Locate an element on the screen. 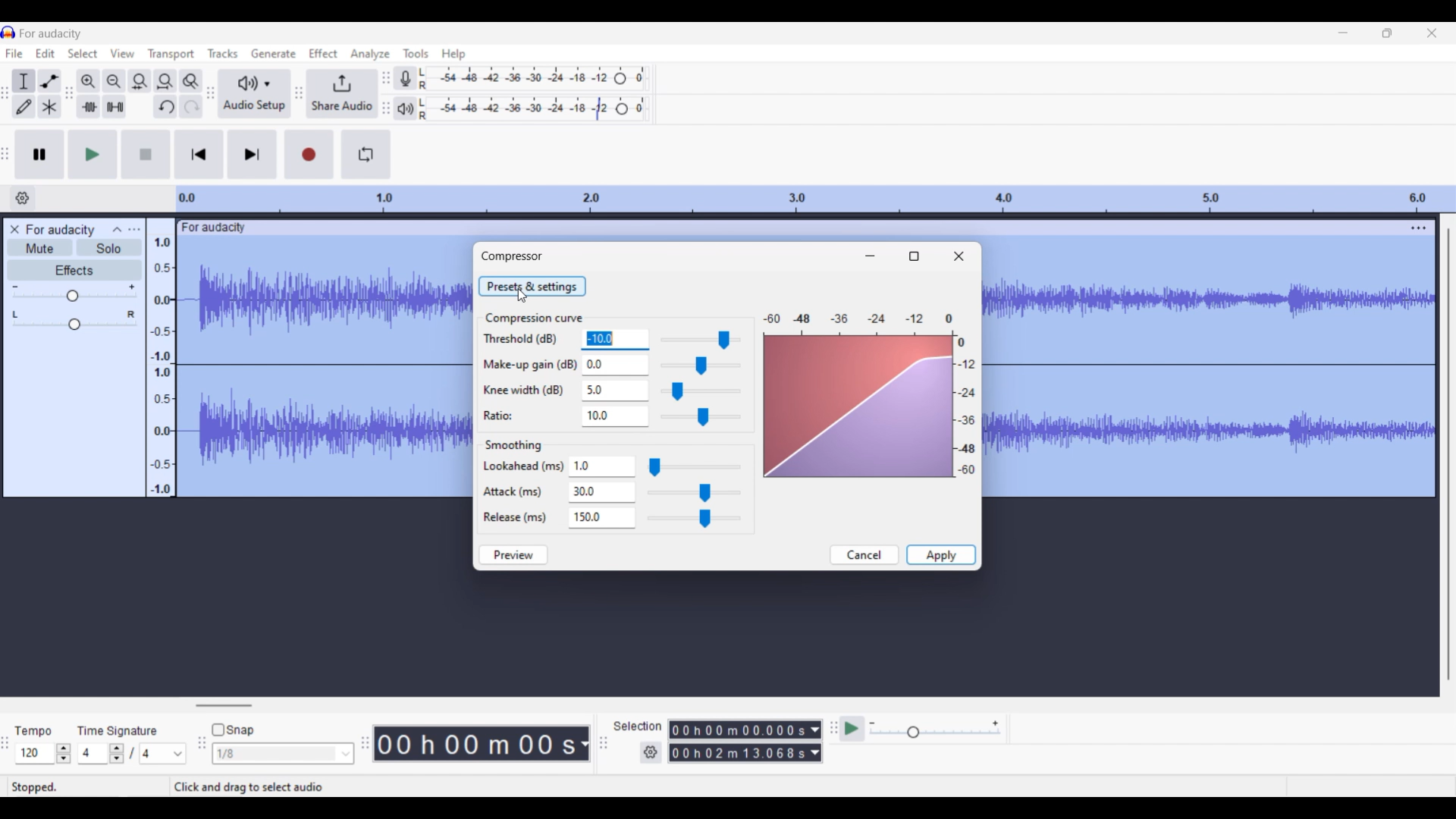 This screenshot has width=1456, height=819. Vertical slide bar is located at coordinates (1449, 456).